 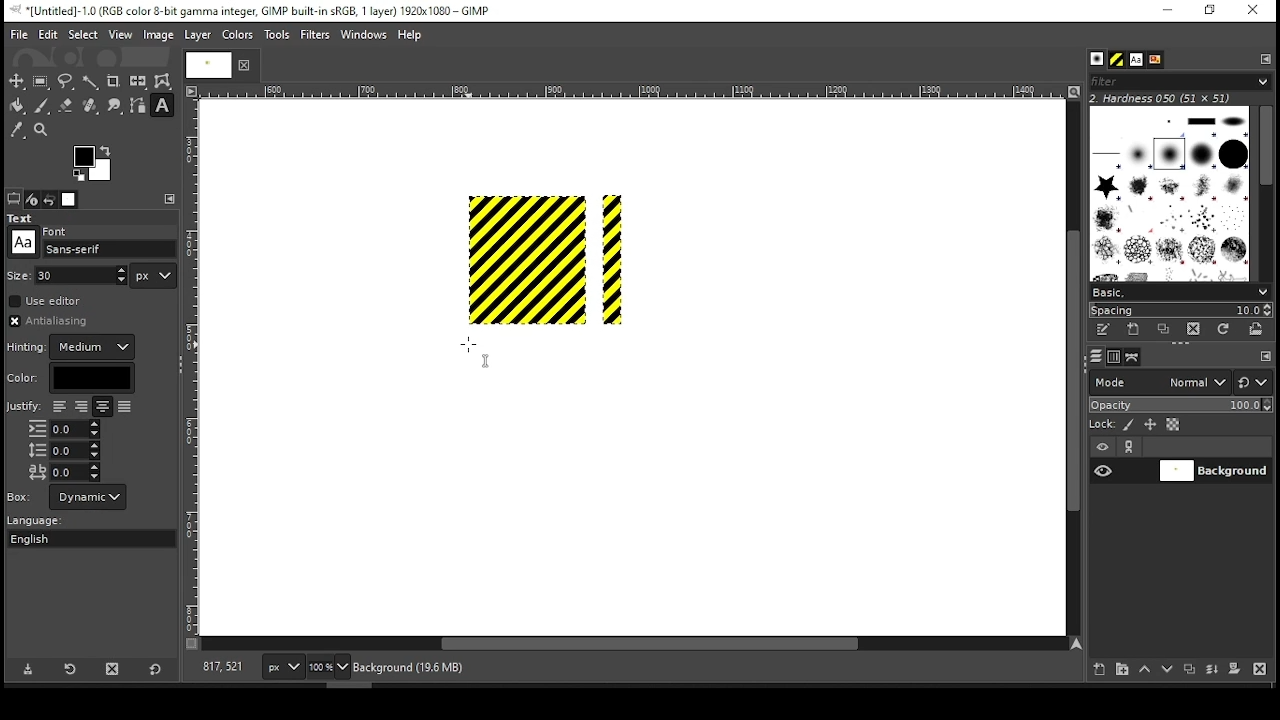 What do you see at coordinates (318, 35) in the screenshot?
I see `filters` at bounding box center [318, 35].